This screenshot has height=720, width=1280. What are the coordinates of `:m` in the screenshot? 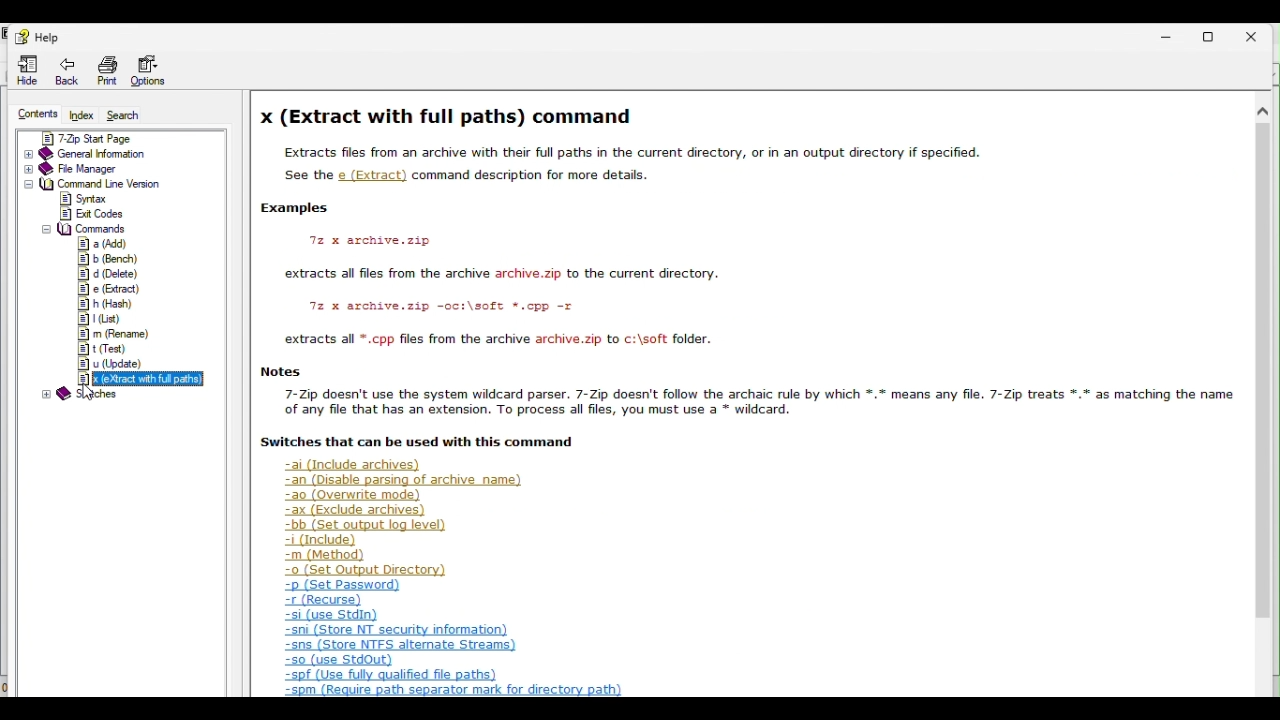 It's located at (325, 556).